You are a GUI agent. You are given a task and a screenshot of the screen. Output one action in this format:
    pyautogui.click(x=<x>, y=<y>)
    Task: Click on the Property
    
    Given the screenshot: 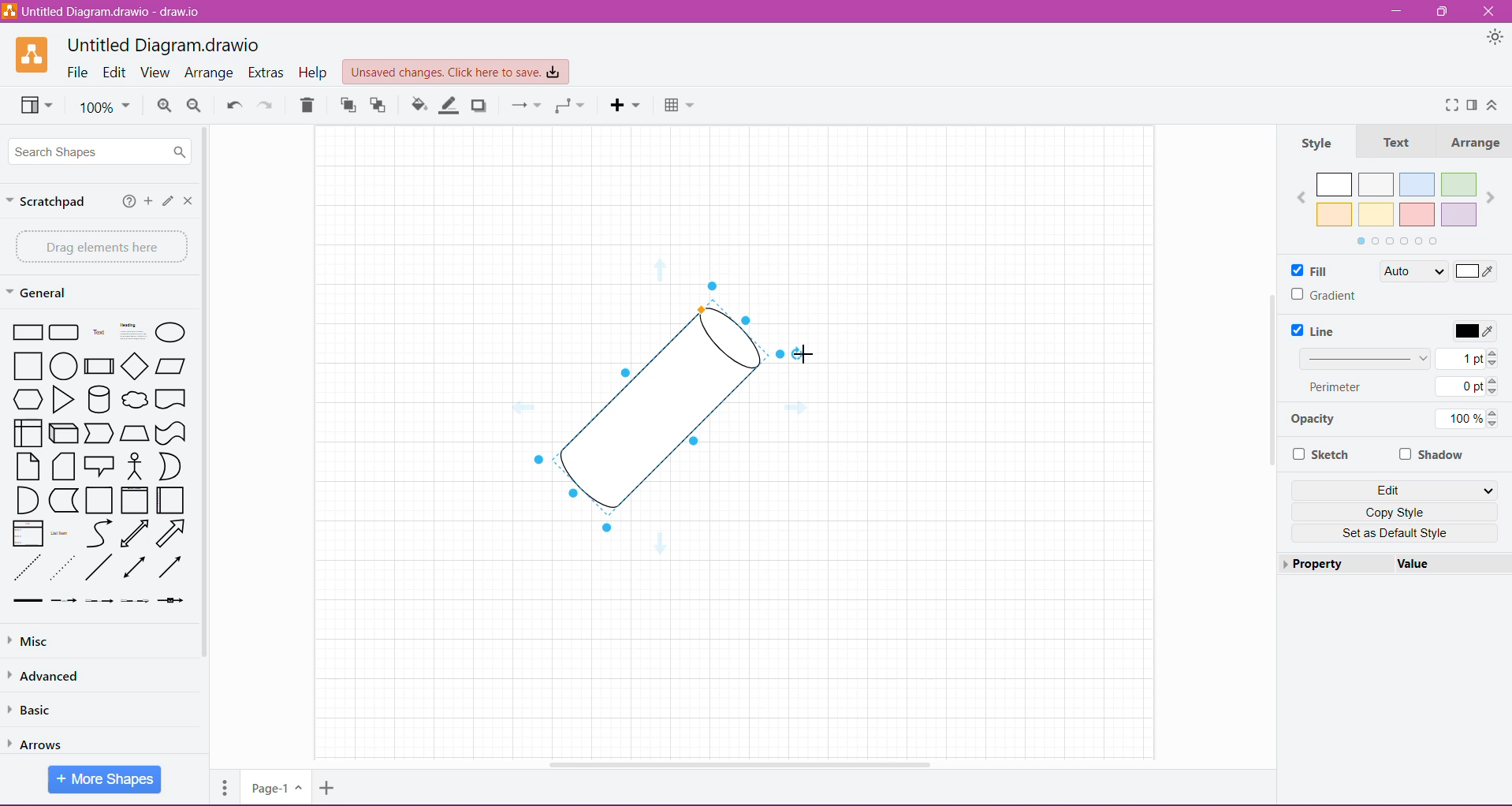 What is the action you would take?
    pyautogui.click(x=1319, y=565)
    